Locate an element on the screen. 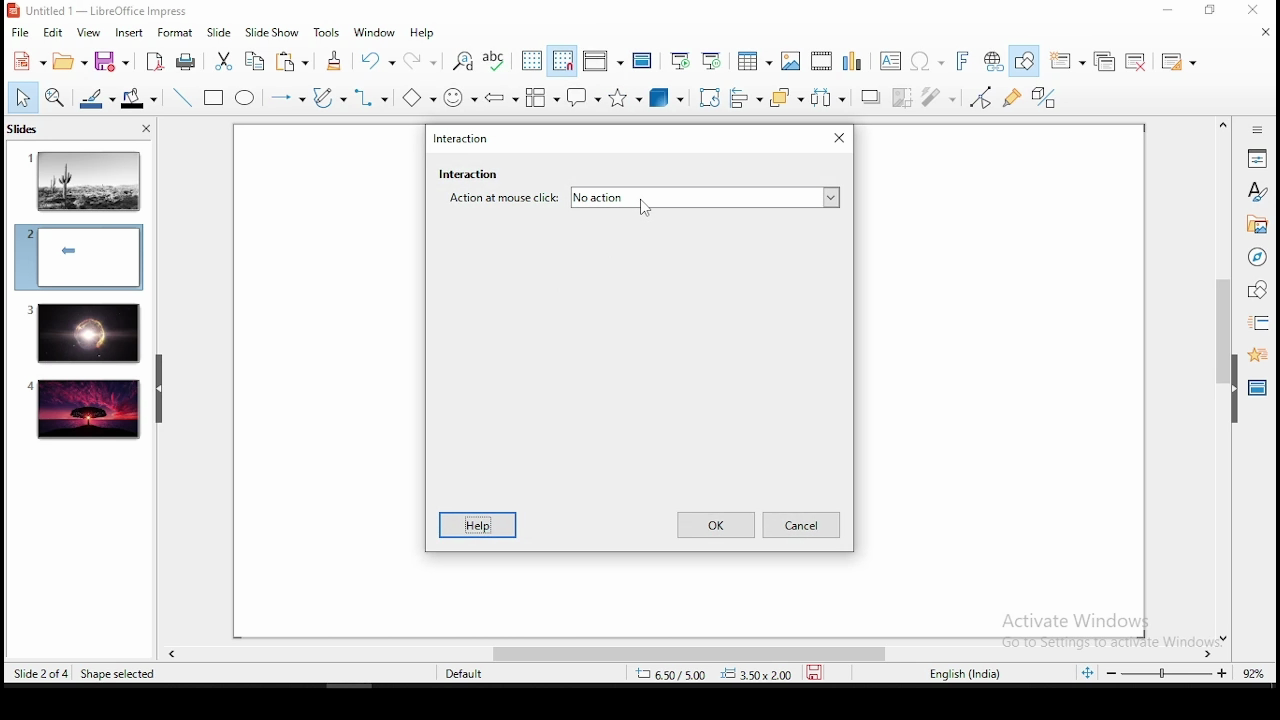 This screenshot has width=1280, height=720. block arrows is located at coordinates (501, 98).